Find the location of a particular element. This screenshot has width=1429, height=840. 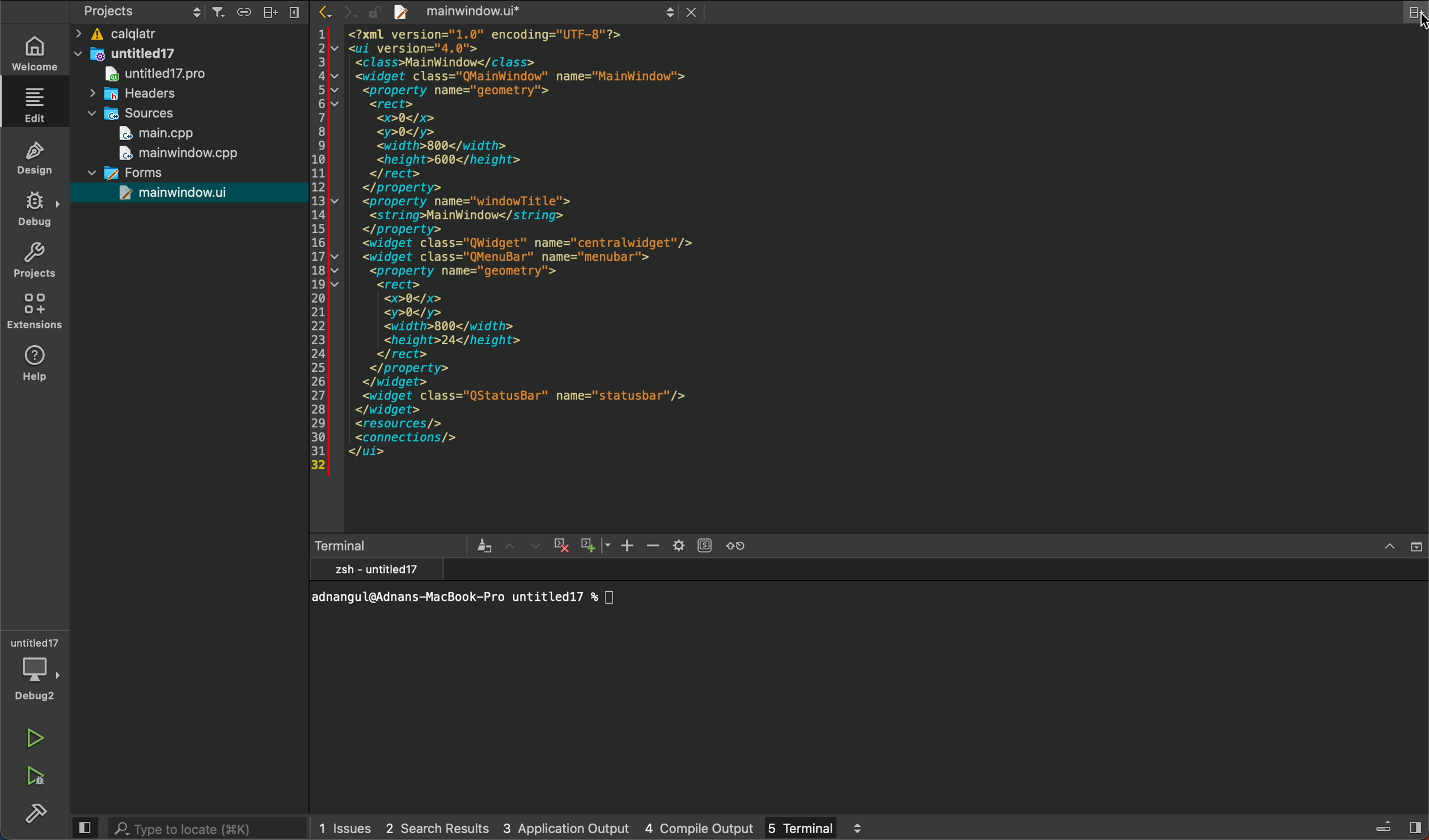

ximize is located at coordinates (1389, 546).